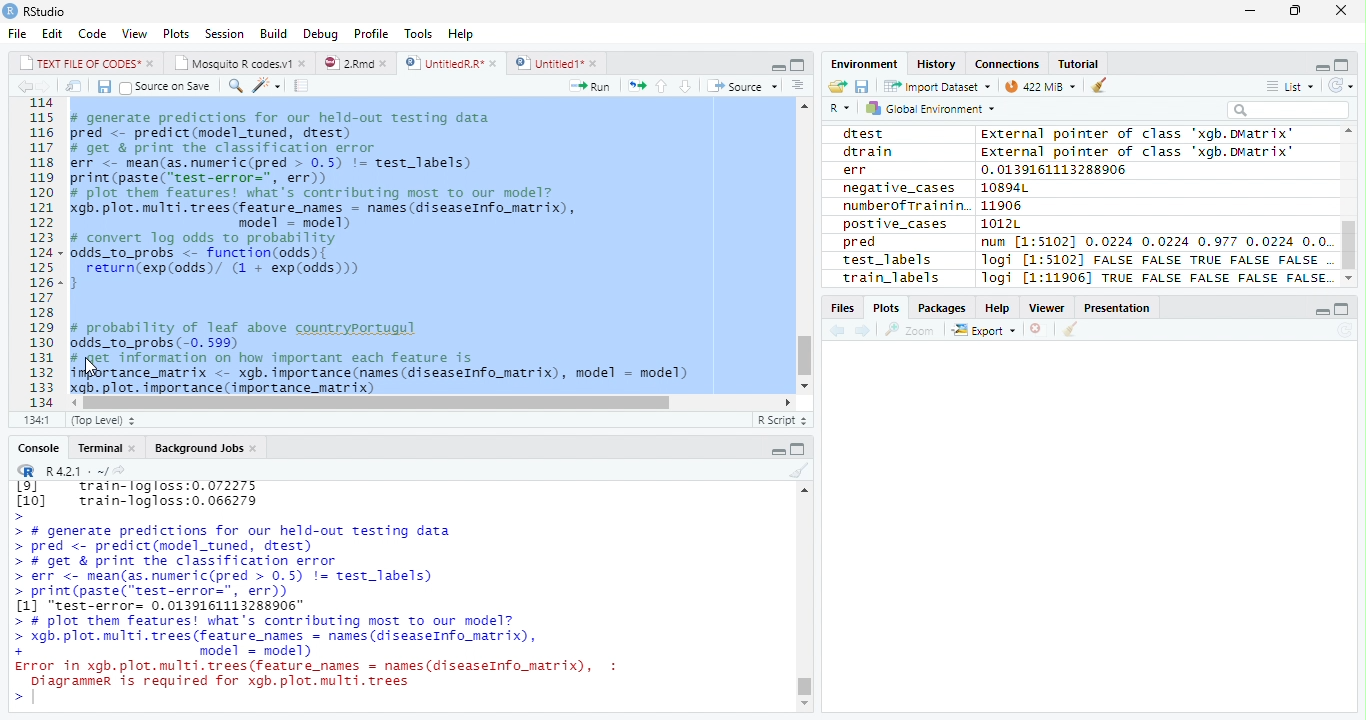 The width and height of the screenshot is (1366, 720). What do you see at coordinates (1049, 307) in the screenshot?
I see `Viewer` at bounding box center [1049, 307].